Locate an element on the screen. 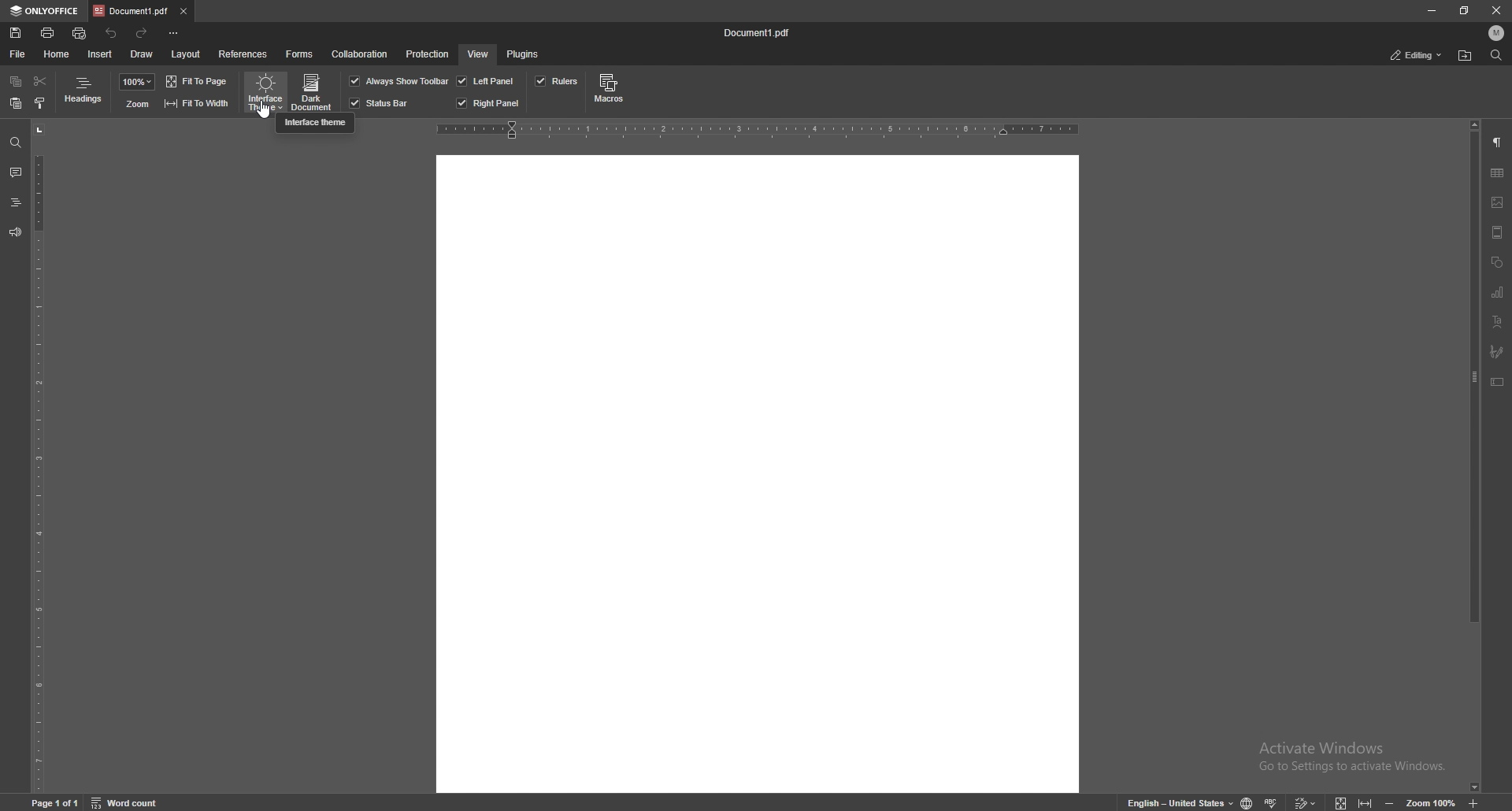  copy style is located at coordinates (40, 103).